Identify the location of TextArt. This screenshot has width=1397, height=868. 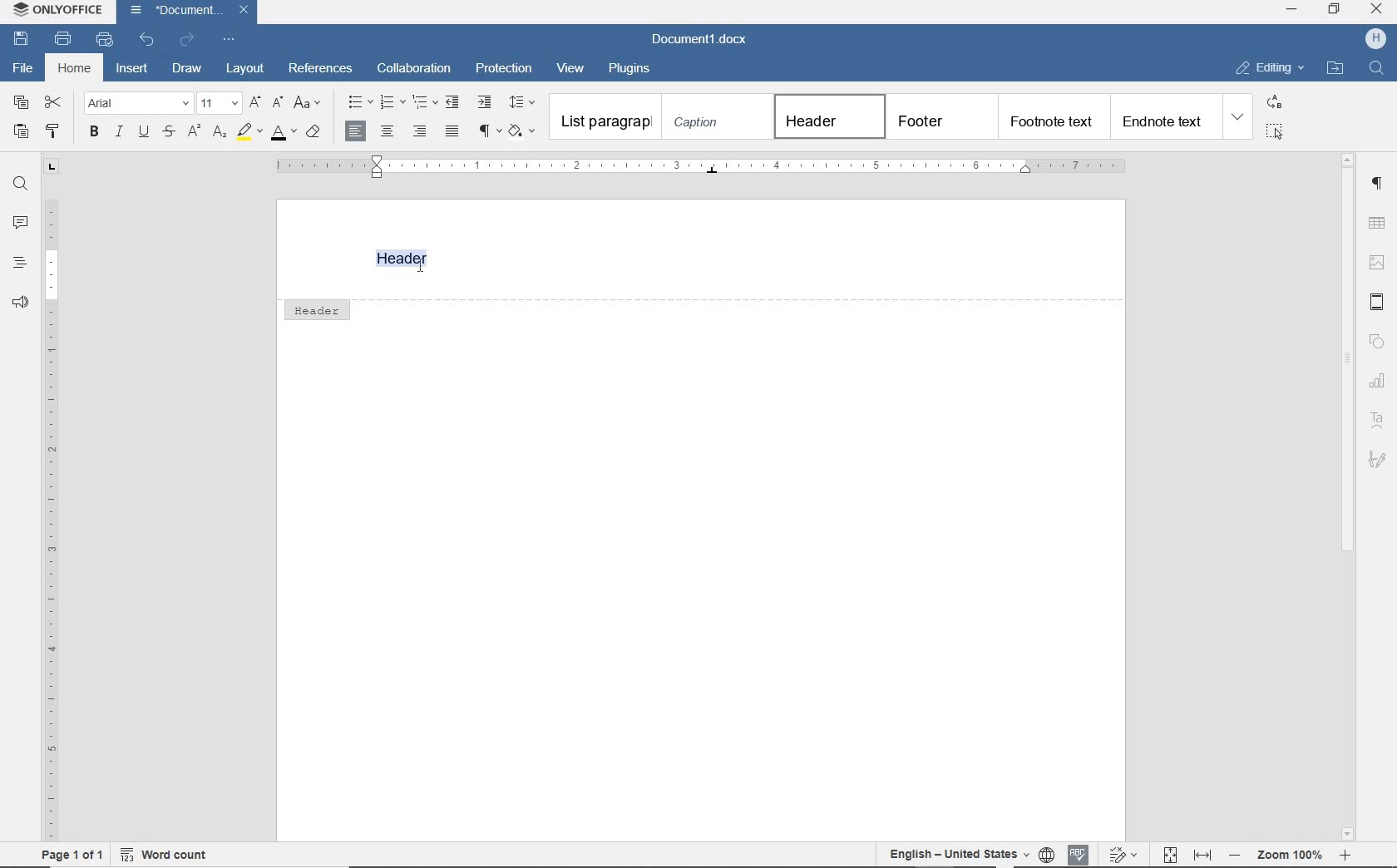
(1377, 419).